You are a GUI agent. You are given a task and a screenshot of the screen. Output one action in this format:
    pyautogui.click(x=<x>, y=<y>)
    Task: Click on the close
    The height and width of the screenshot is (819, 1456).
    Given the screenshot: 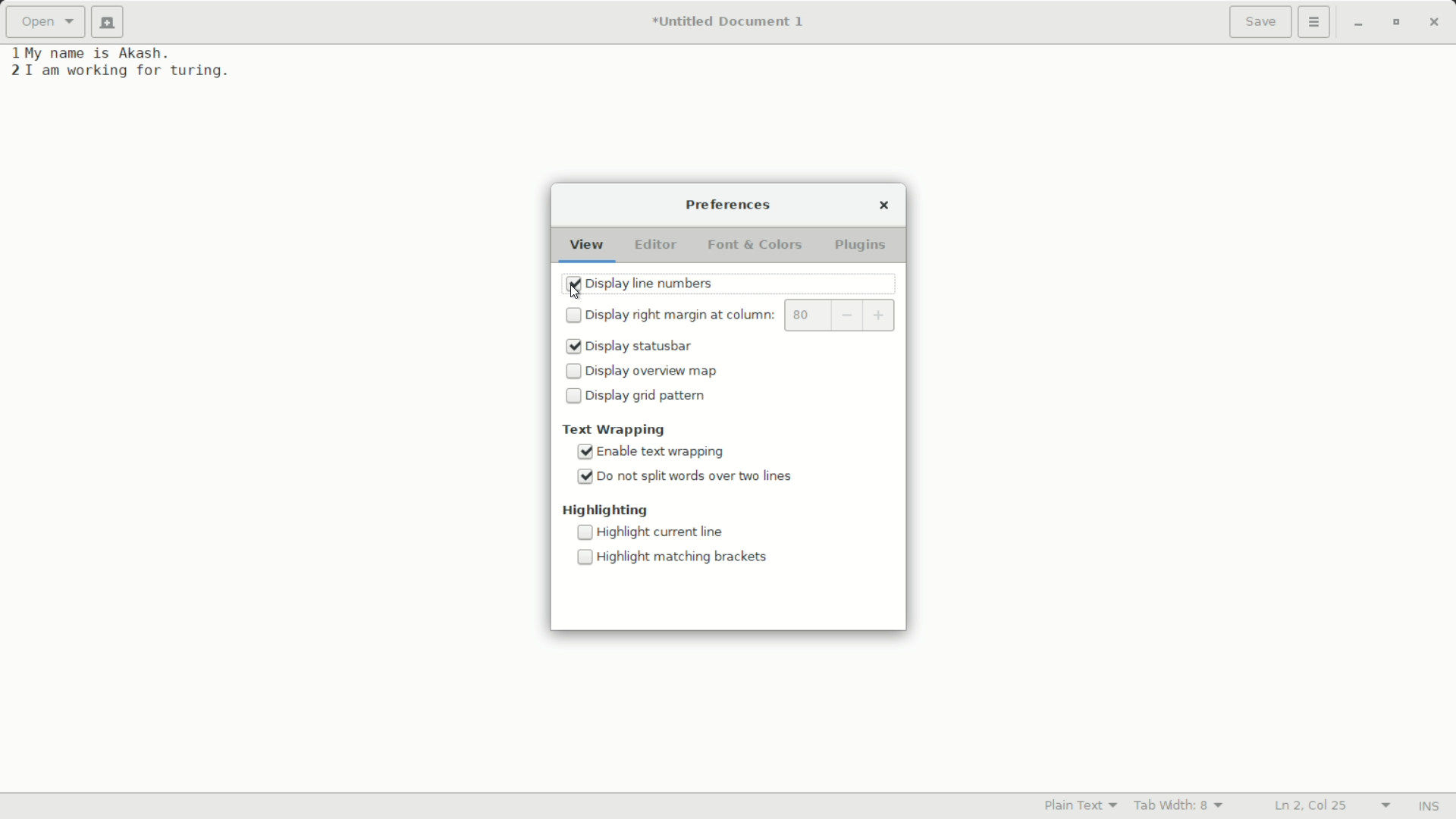 What is the action you would take?
    pyautogui.click(x=886, y=206)
    